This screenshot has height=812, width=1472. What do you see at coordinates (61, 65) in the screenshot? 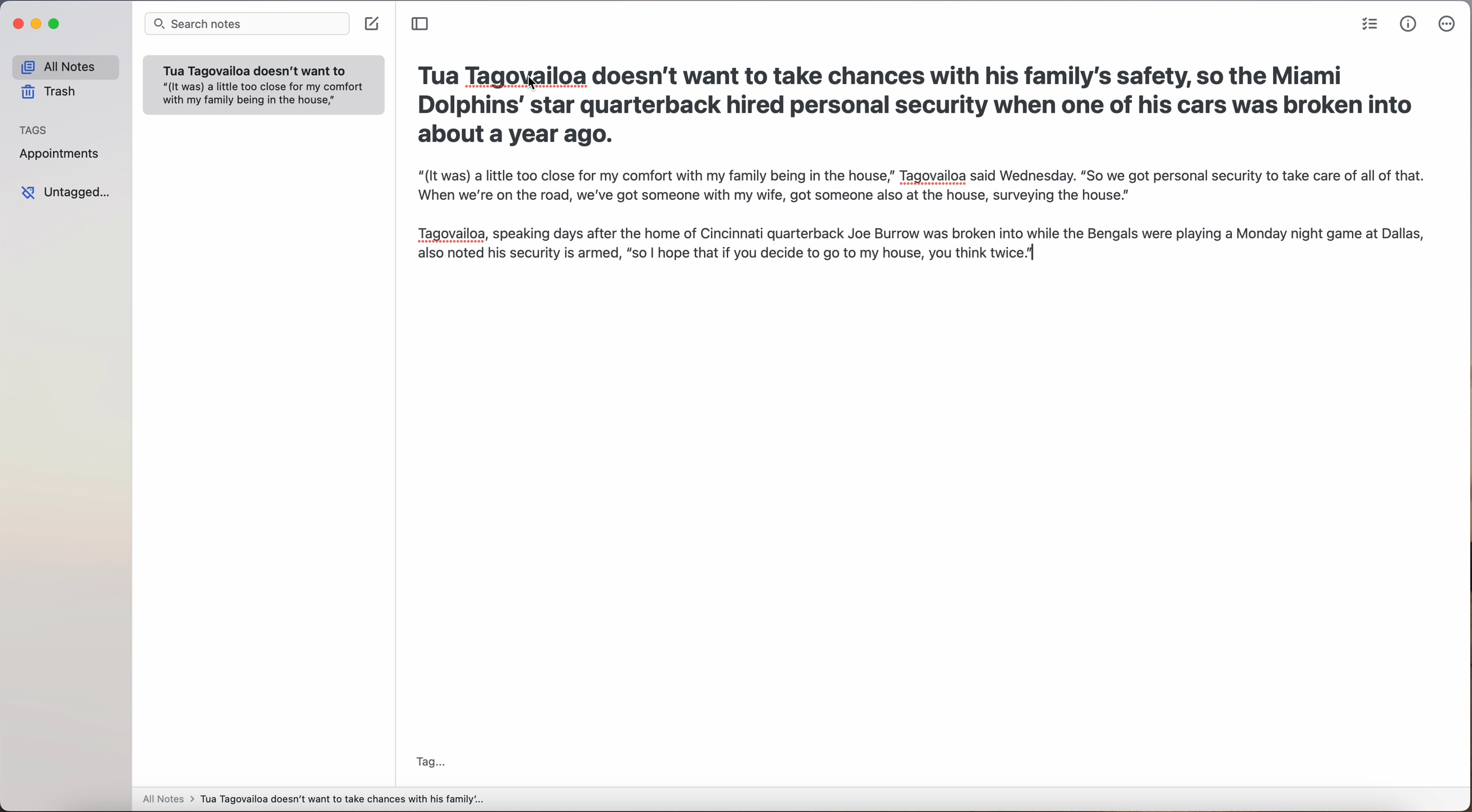
I see ` All Notes` at bounding box center [61, 65].